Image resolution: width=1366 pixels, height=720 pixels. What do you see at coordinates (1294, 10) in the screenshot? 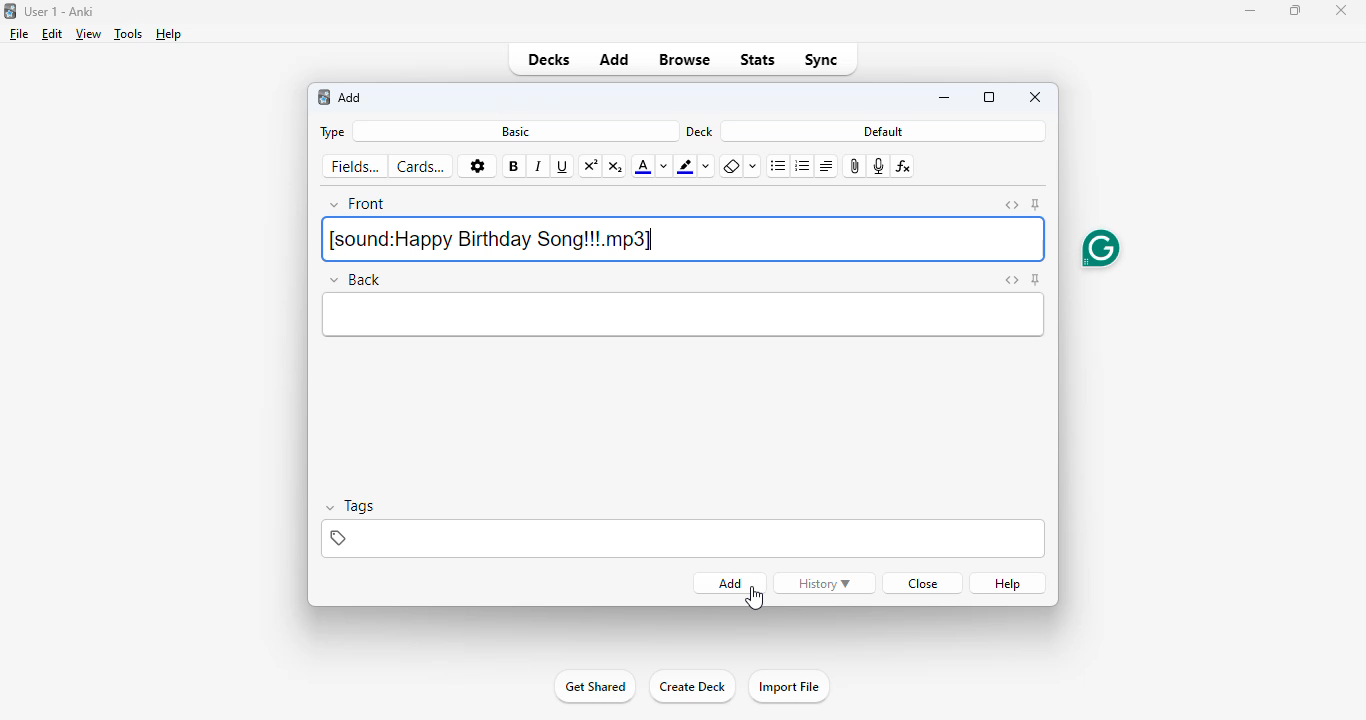
I see `maximize` at bounding box center [1294, 10].